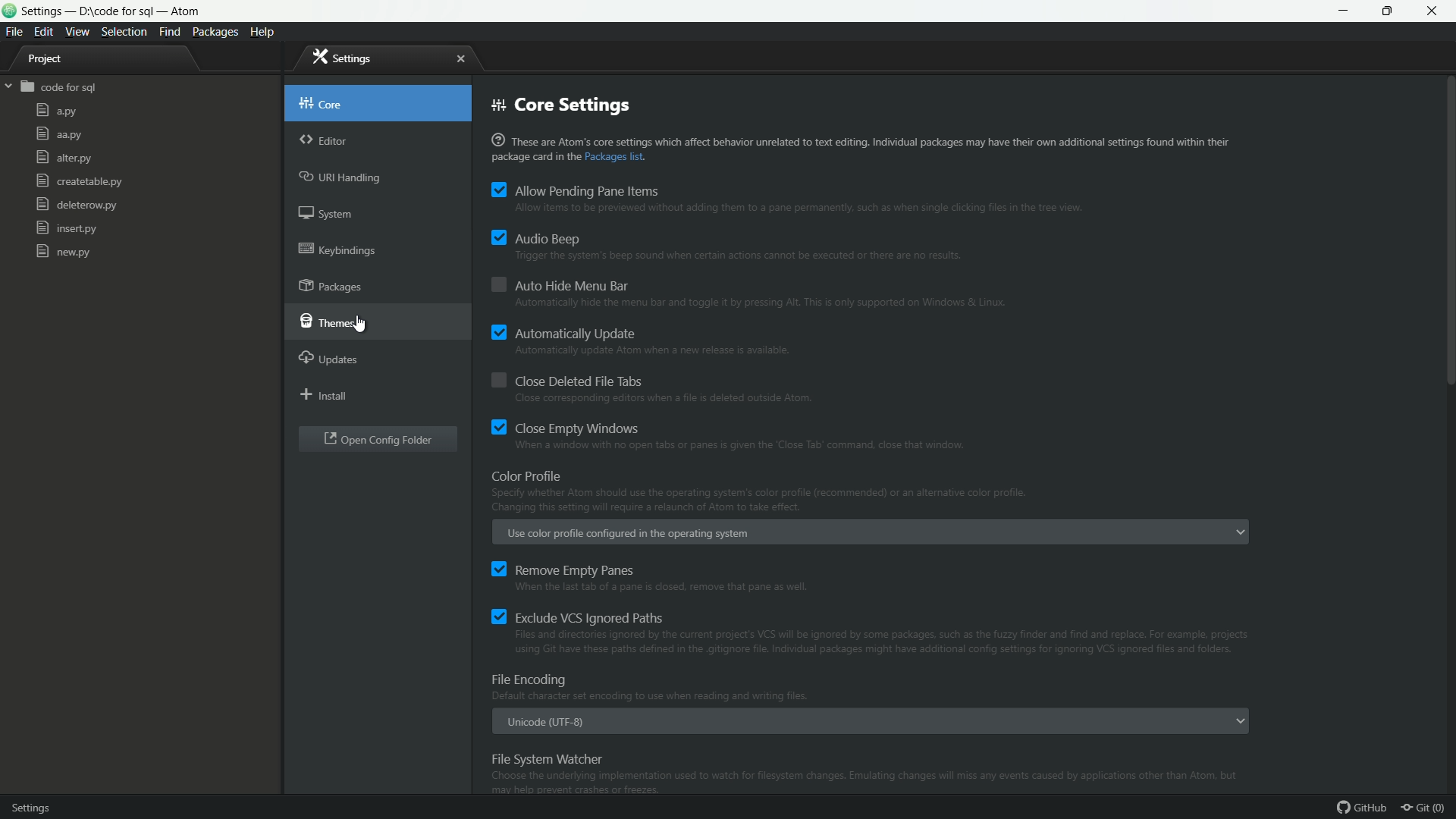  Describe the element at coordinates (1363, 808) in the screenshot. I see `github` at that location.